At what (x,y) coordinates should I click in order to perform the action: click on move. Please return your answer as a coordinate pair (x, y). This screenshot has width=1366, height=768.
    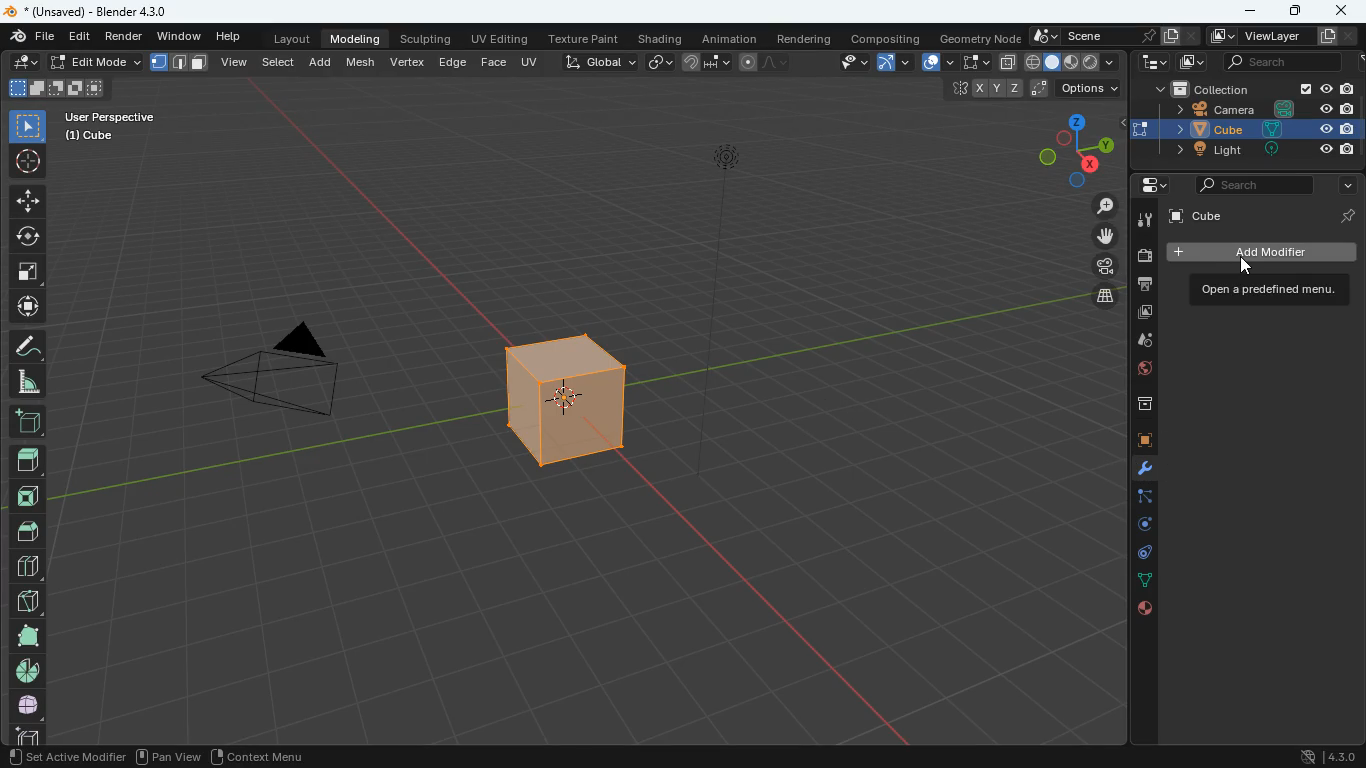
    Looking at the image, I should click on (27, 306).